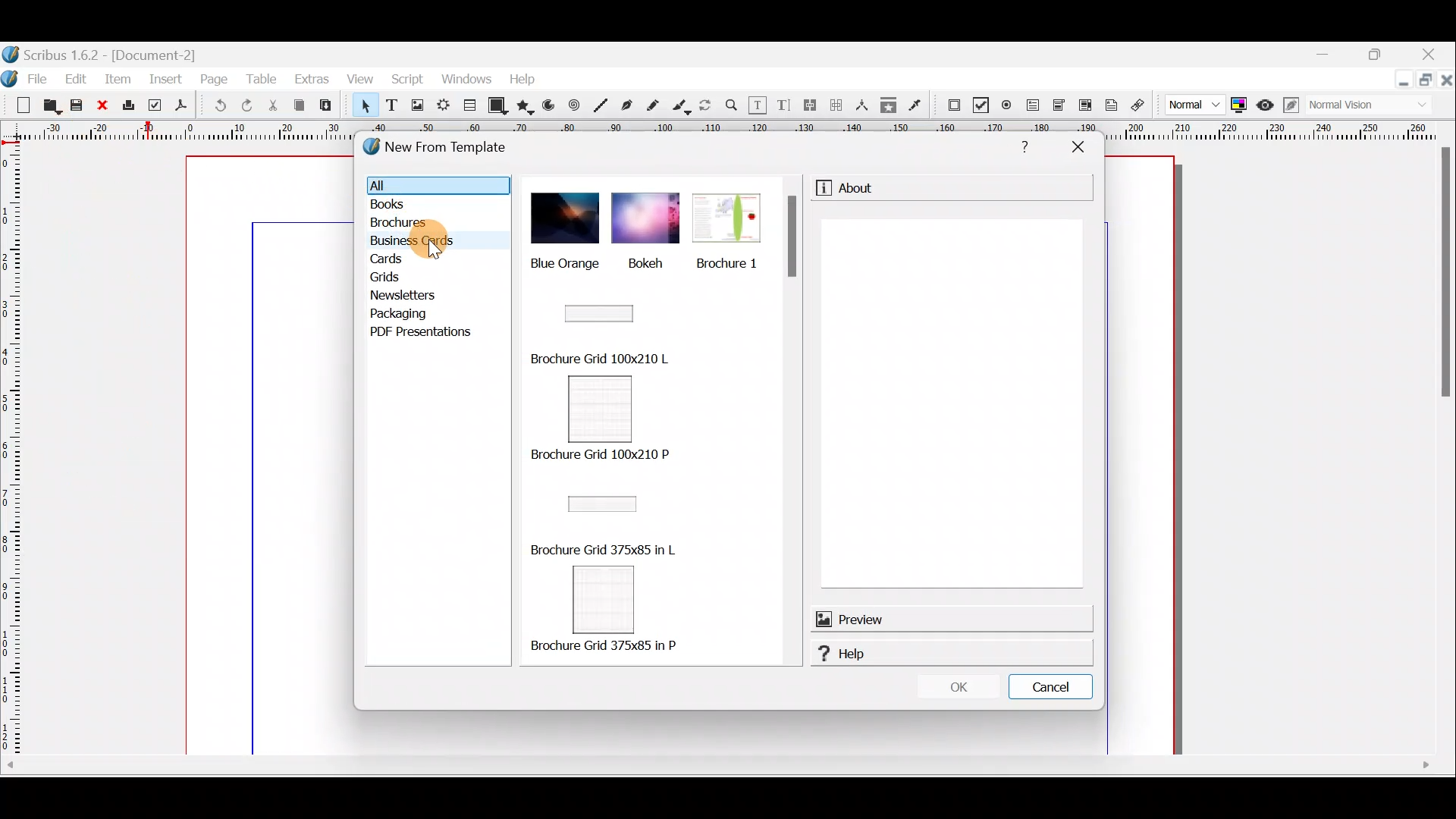  I want to click on Rotate item, so click(706, 106).